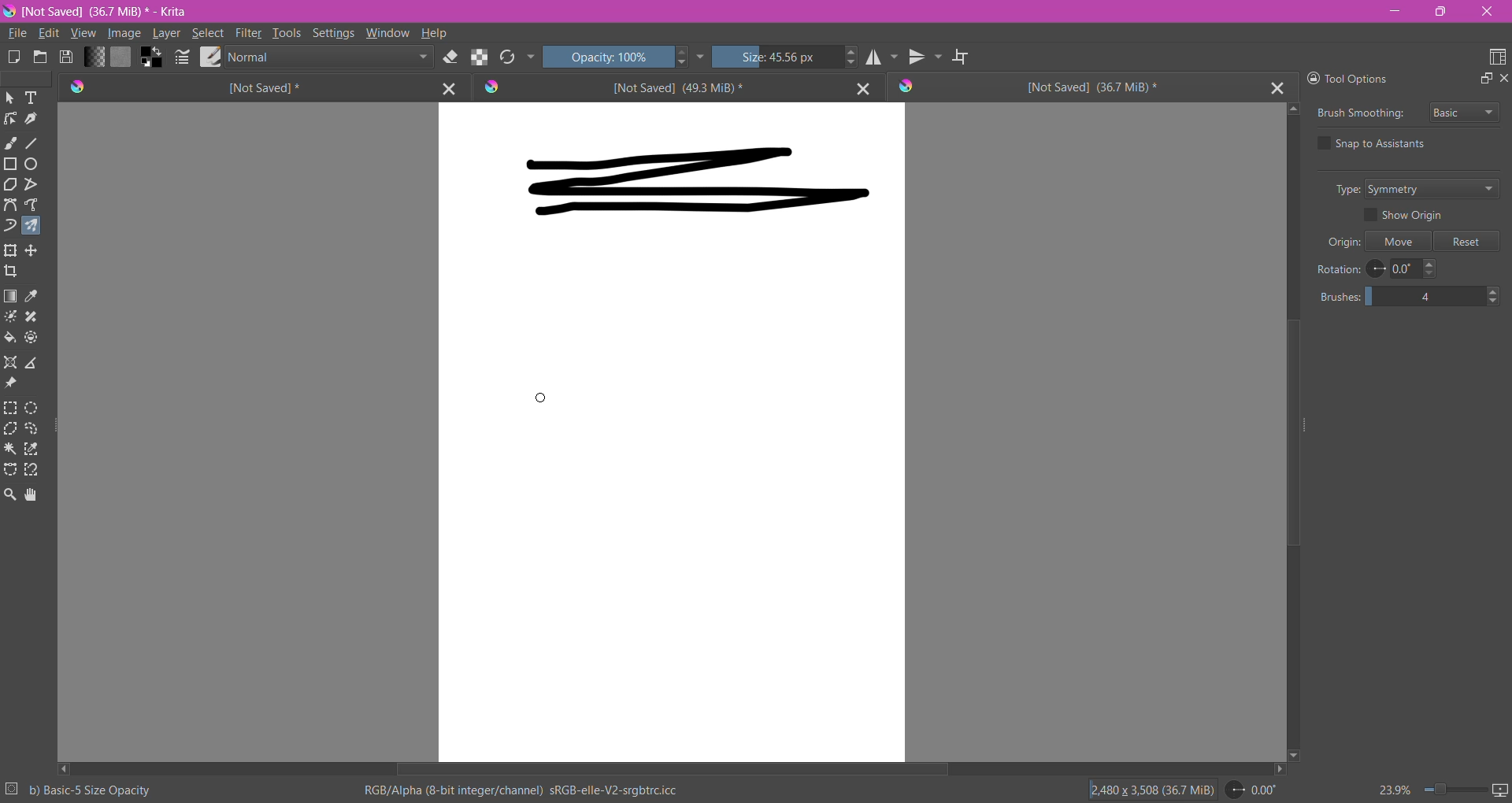 This screenshot has height=803, width=1512. Describe the element at coordinates (1409, 216) in the screenshot. I see `Show Origin - enable/disable` at that location.